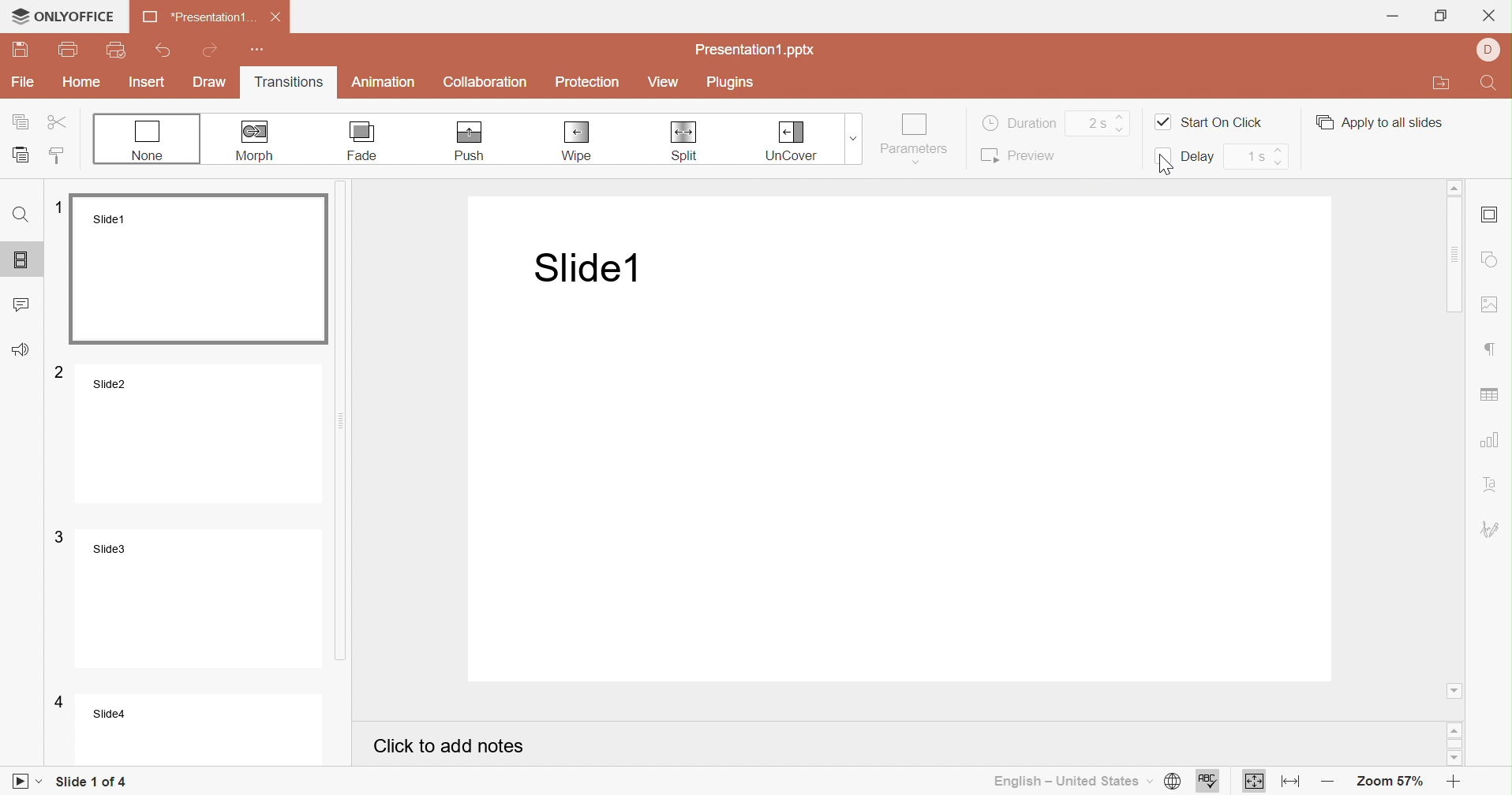 The height and width of the screenshot is (795, 1512). I want to click on Copy style, so click(60, 157).